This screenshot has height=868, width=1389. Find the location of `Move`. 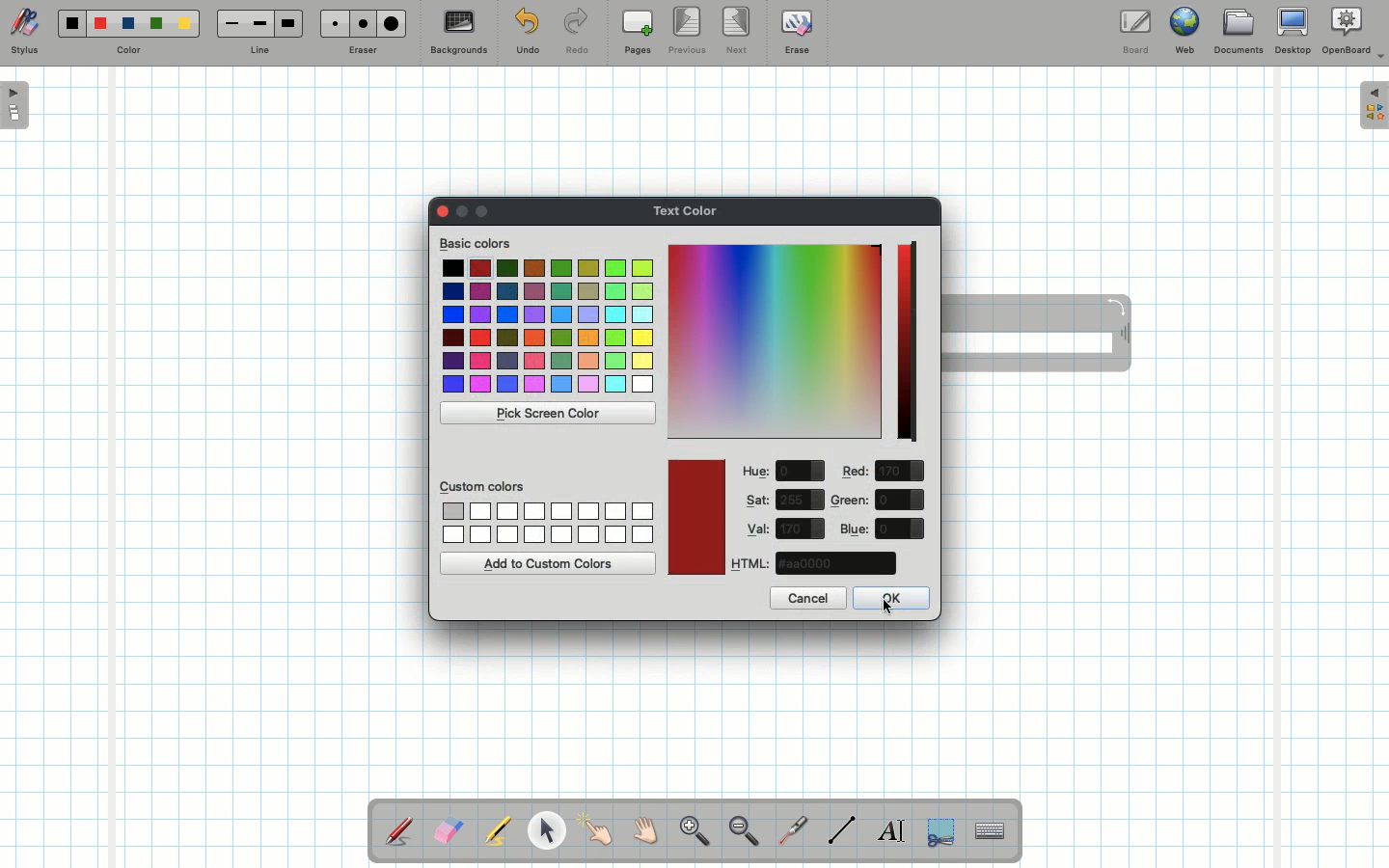

Move is located at coordinates (1123, 336).